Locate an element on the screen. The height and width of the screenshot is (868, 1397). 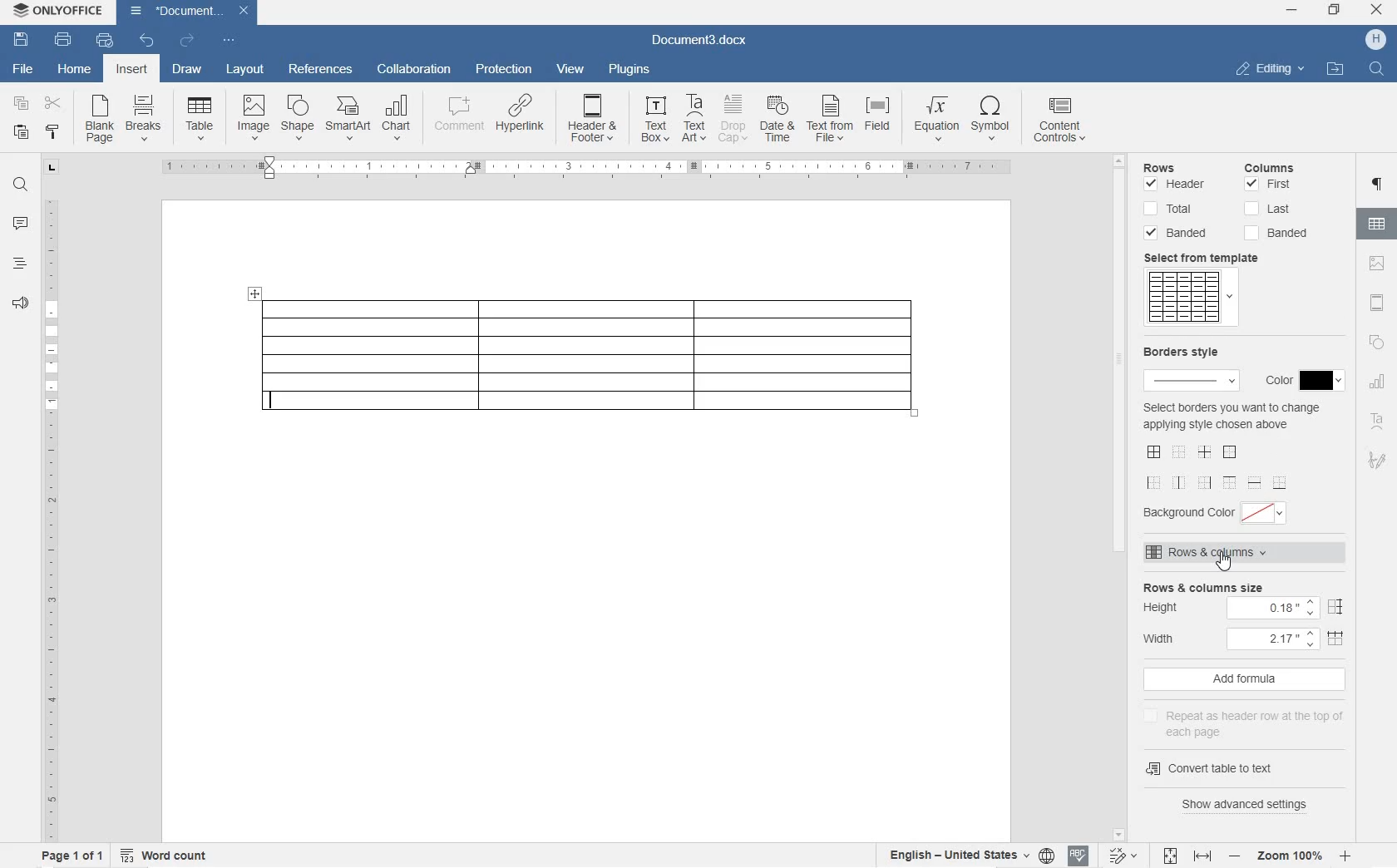
RESTORE is located at coordinates (1335, 12).